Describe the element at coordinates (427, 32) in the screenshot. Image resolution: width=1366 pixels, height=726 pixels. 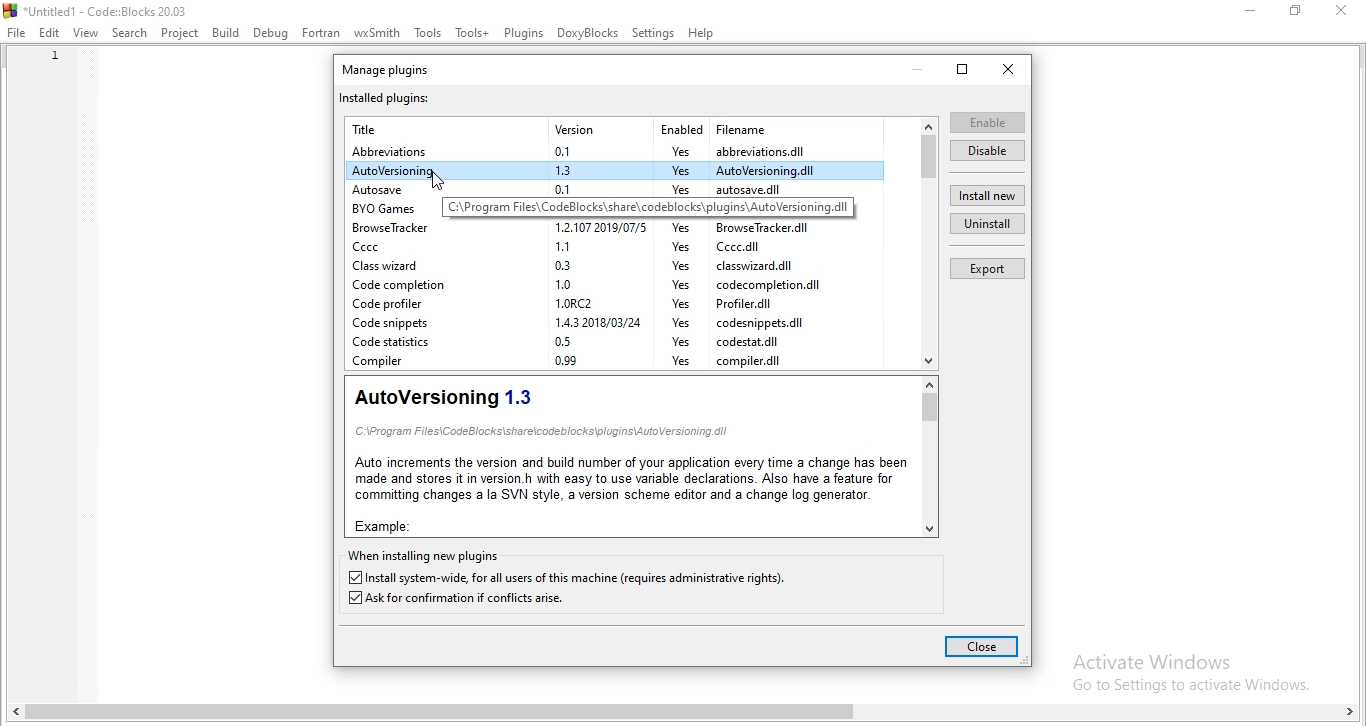
I see `Tools` at that location.